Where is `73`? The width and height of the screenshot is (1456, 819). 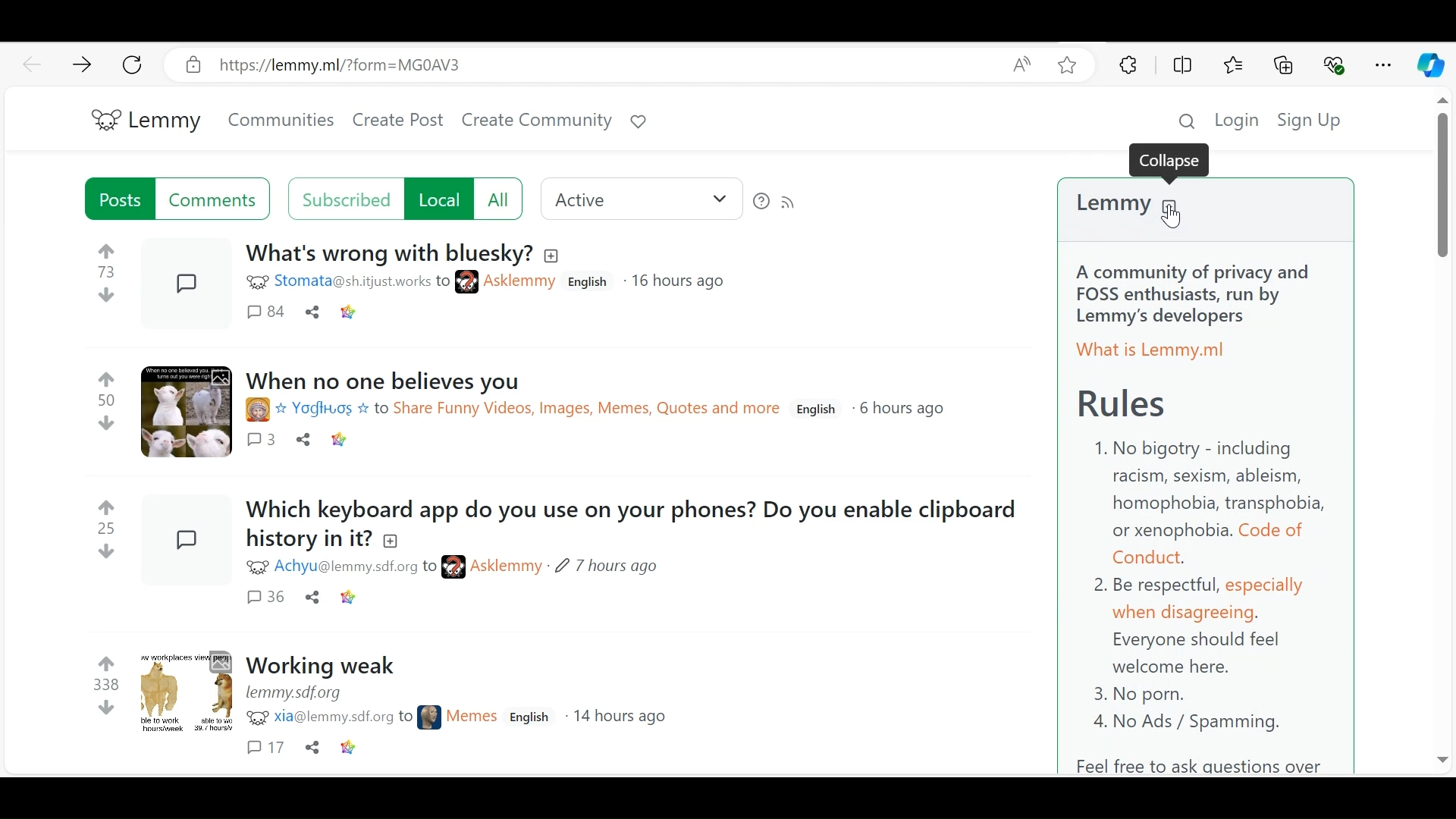 73 is located at coordinates (104, 272).